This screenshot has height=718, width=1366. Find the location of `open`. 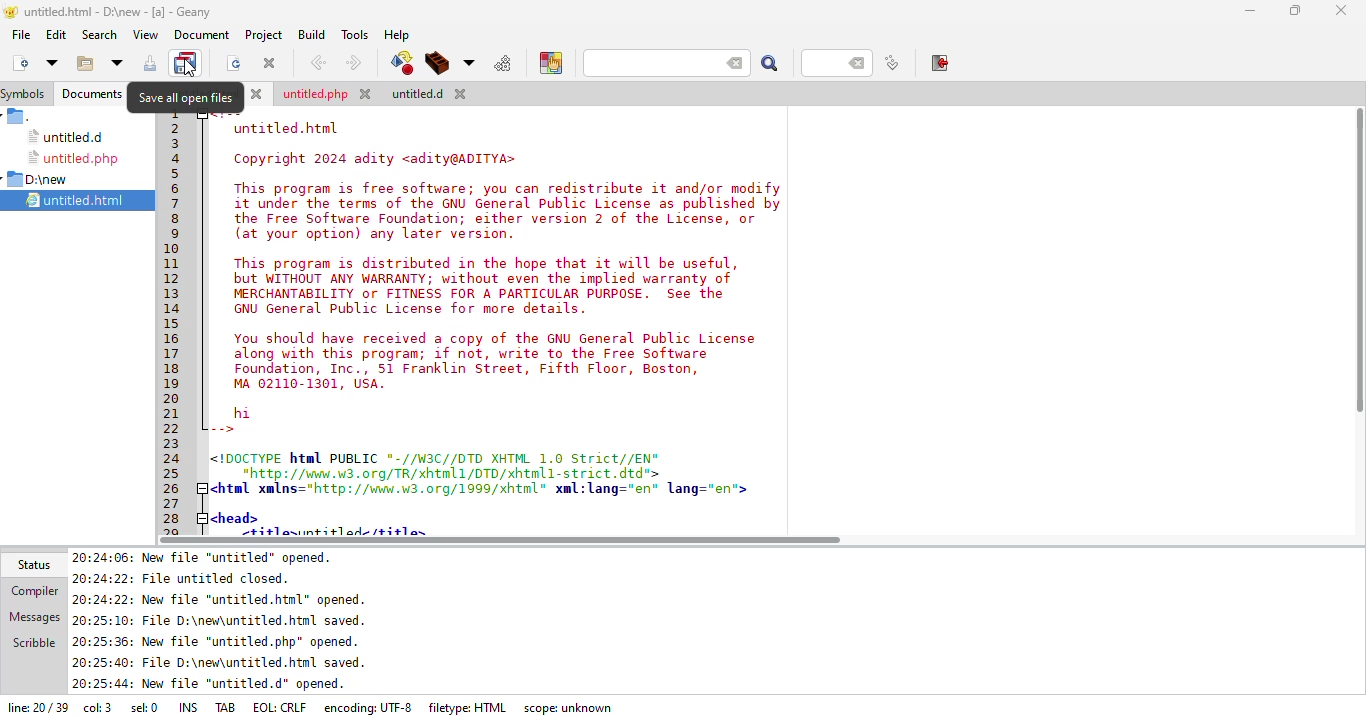

open is located at coordinates (84, 62).